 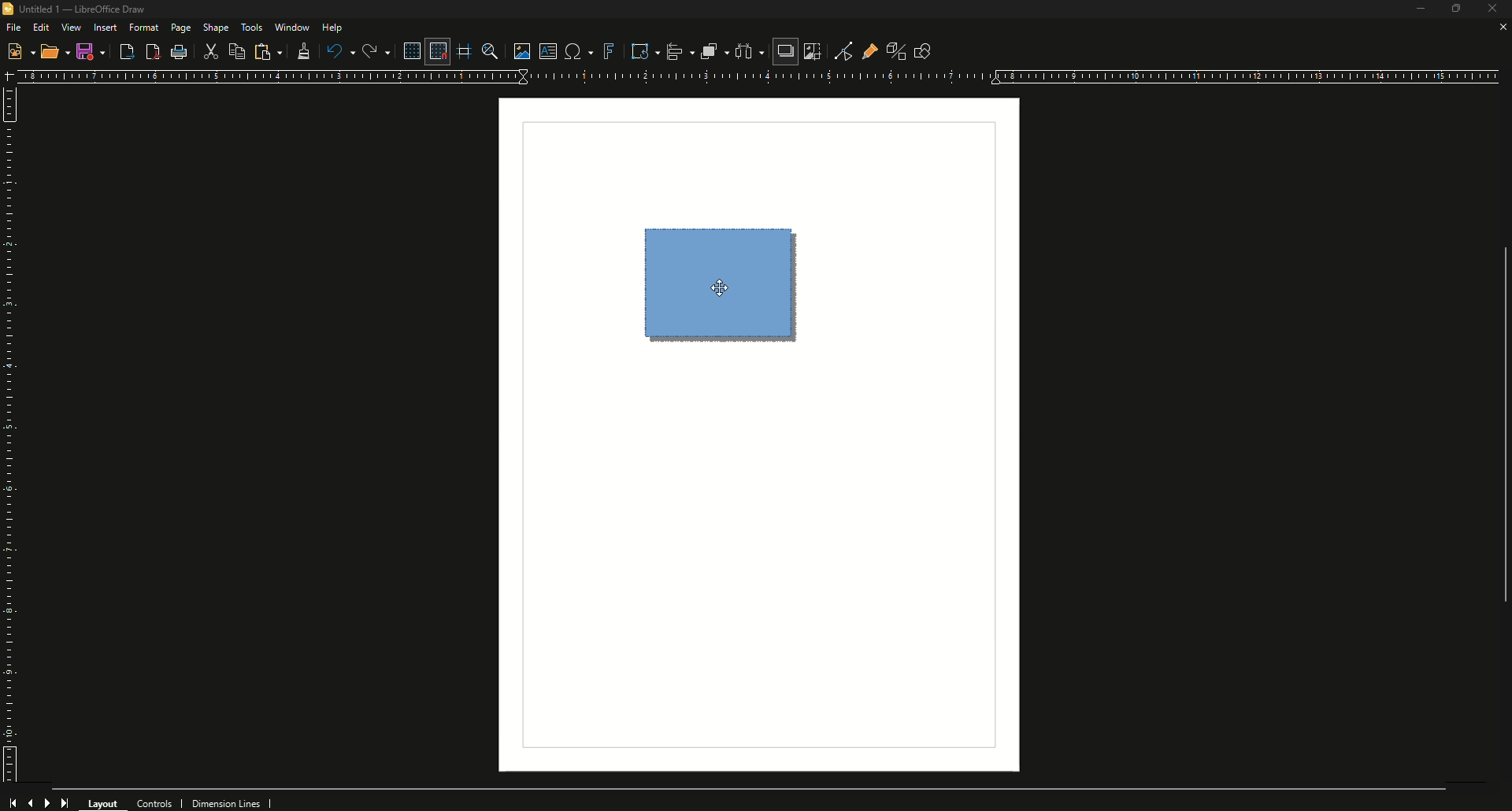 What do you see at coordinates (546, 51) in the screenshot?
I see `Insert Text Box` at bounding box center [546, 51].